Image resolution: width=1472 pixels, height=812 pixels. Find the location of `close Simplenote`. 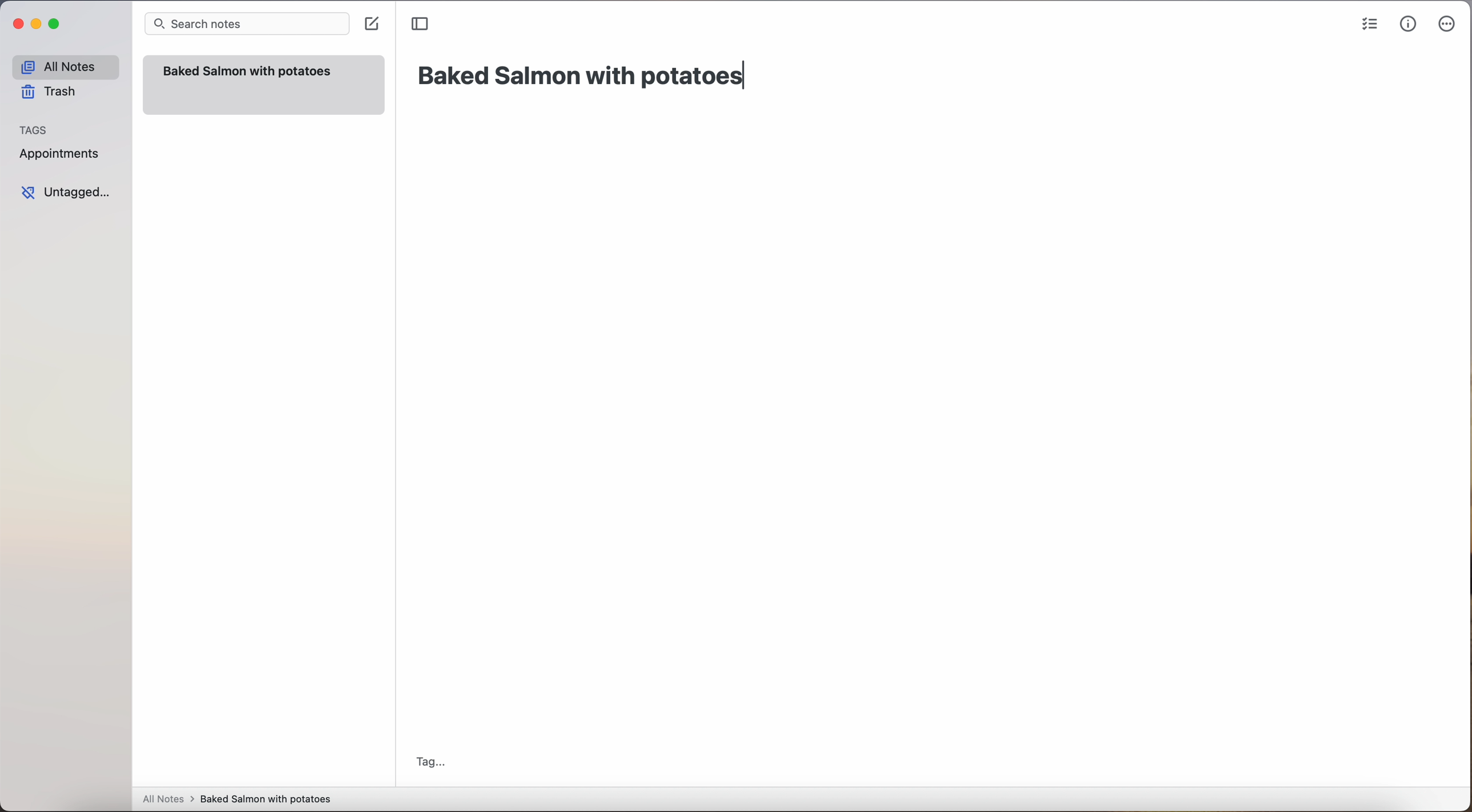

close Simplenote is located at coordinates (17, 25).